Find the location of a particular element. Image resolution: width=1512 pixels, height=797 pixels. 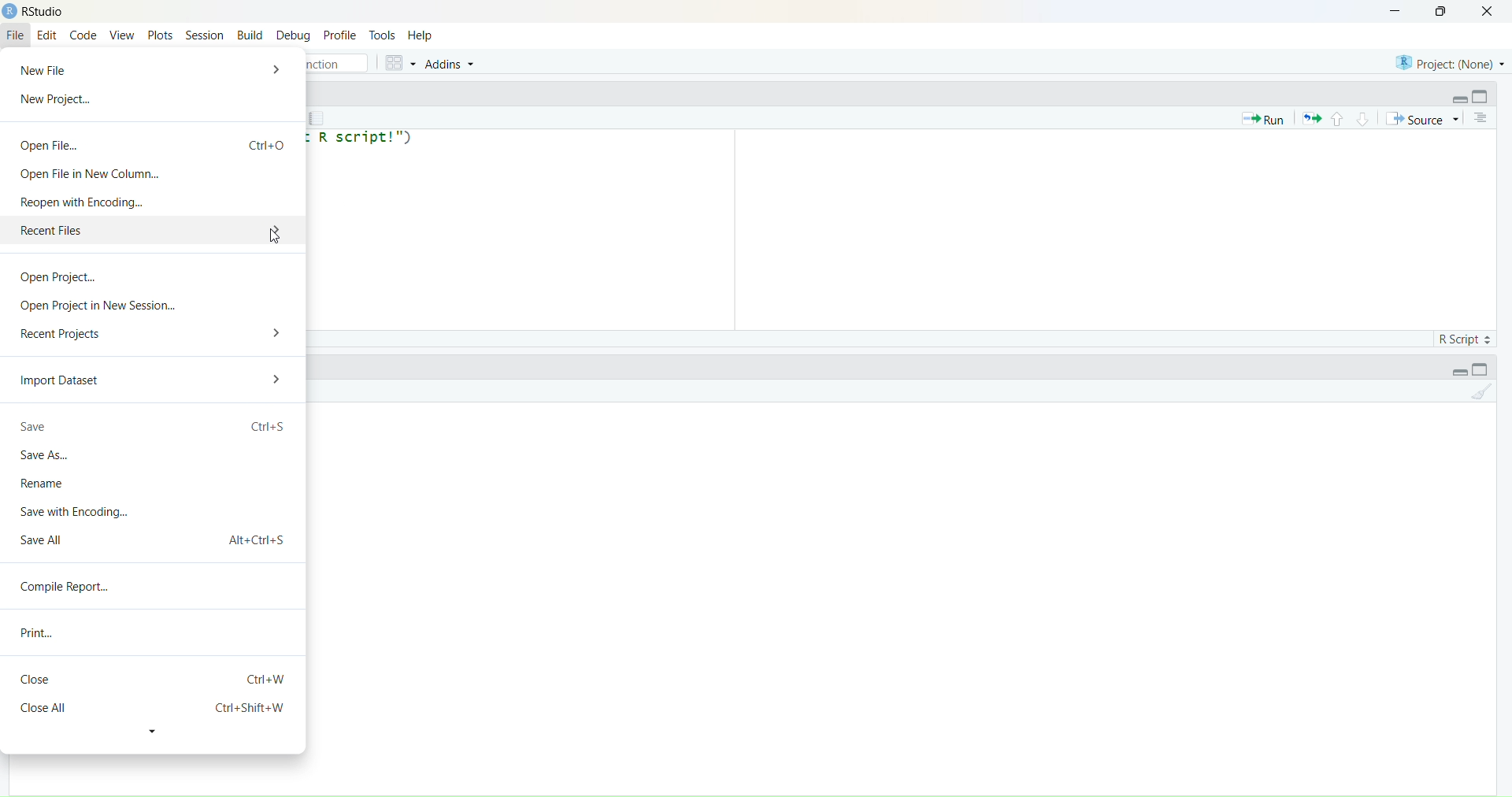

View is located at coordinates (122, 36).